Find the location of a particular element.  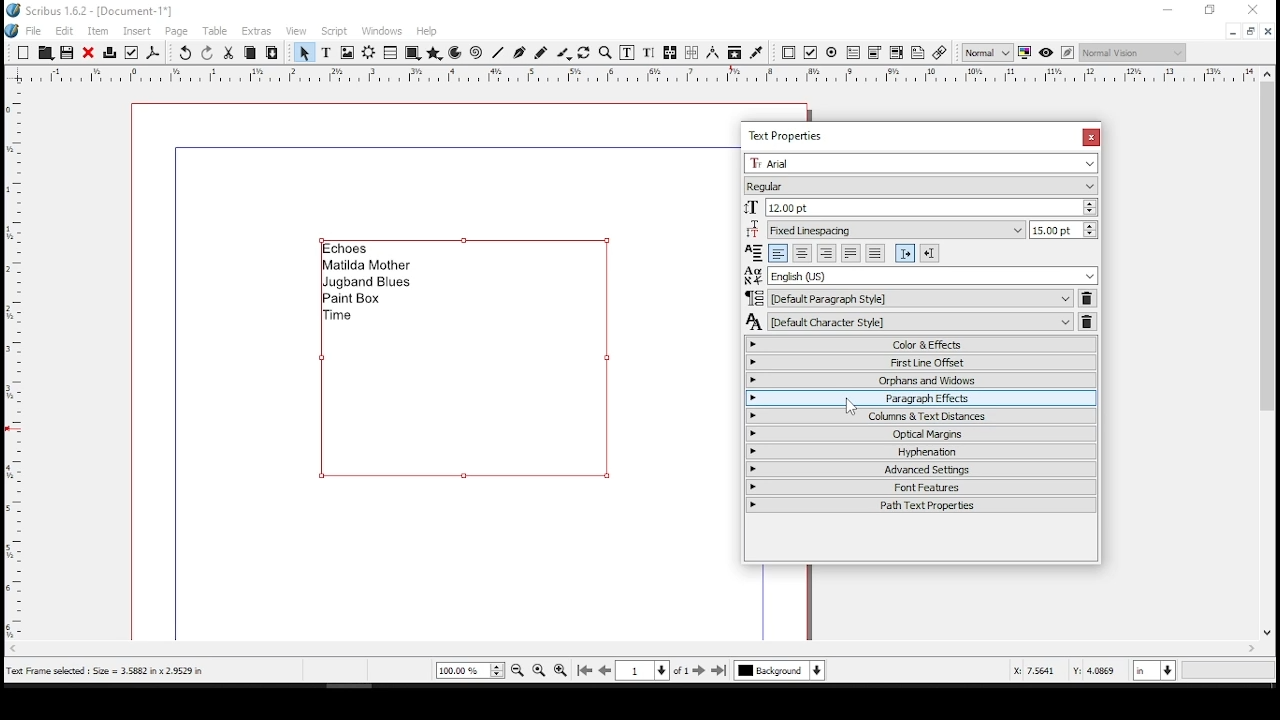

line is located at coordinates (499, 52).